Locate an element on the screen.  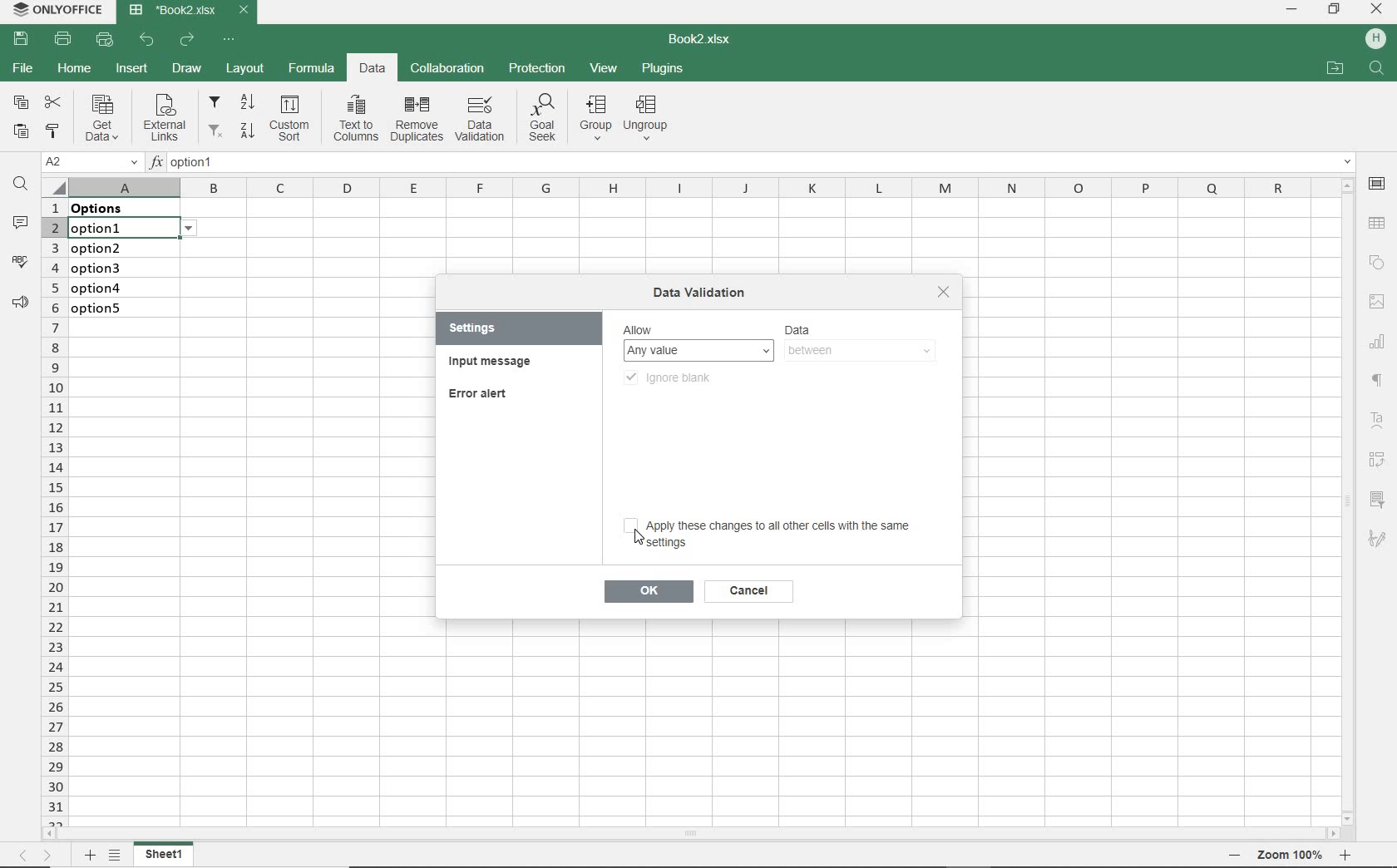
data is located at coordinates (110, 208).